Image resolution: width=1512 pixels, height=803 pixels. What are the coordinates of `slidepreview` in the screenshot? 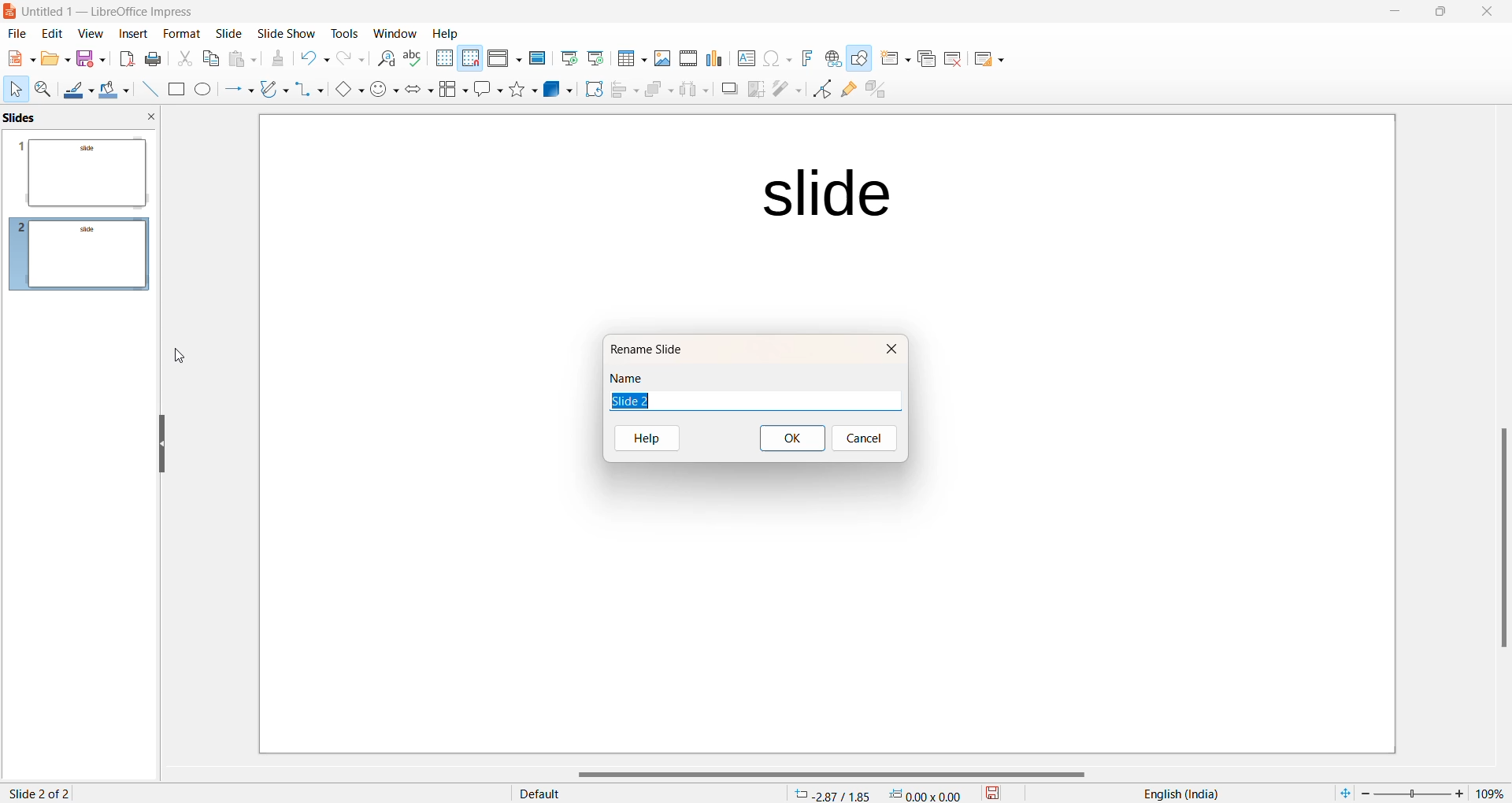 It's located at (83, 250).